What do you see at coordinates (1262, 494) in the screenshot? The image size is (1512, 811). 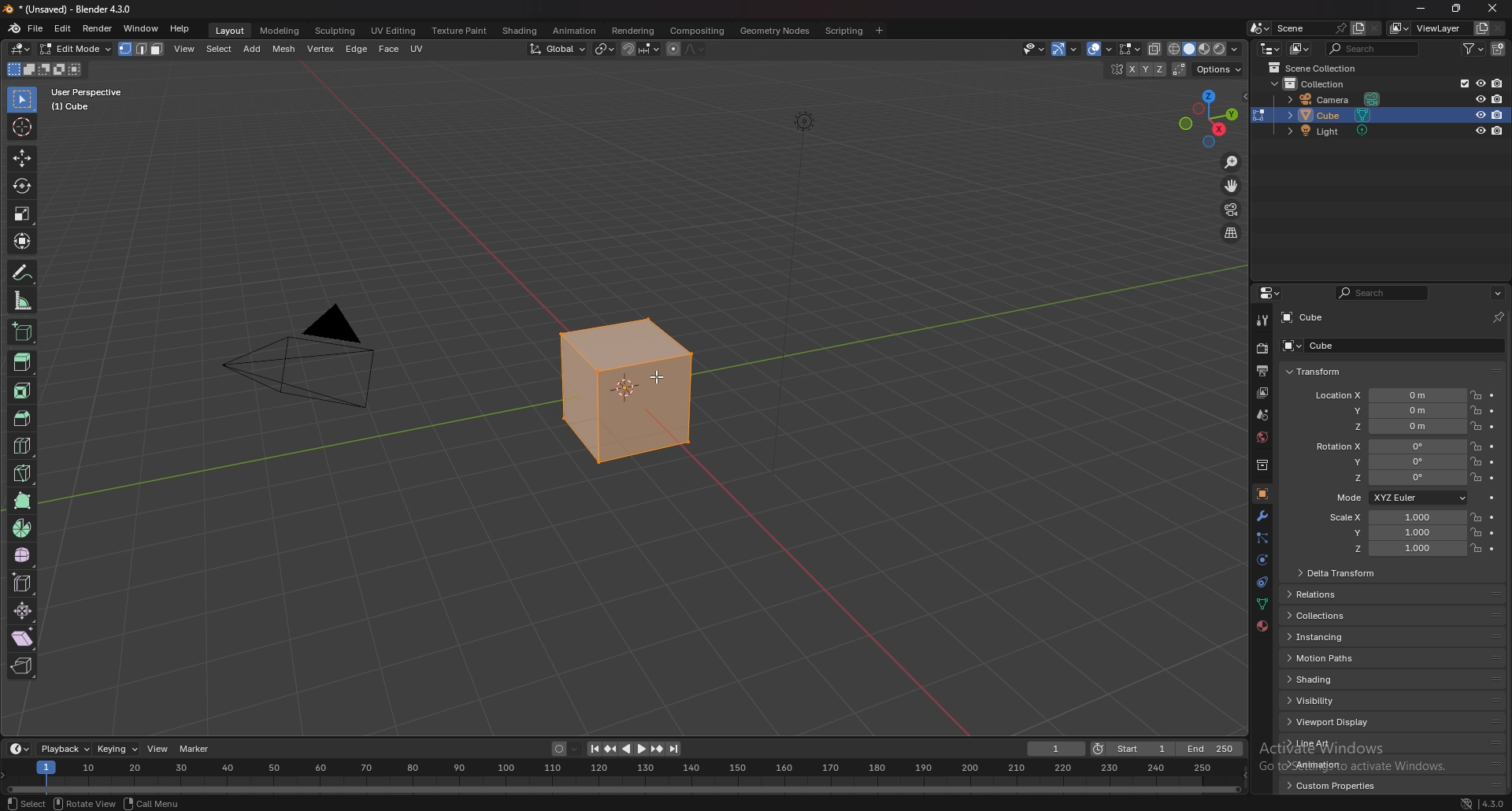 I see `object` at bounding box center [1262, 494].